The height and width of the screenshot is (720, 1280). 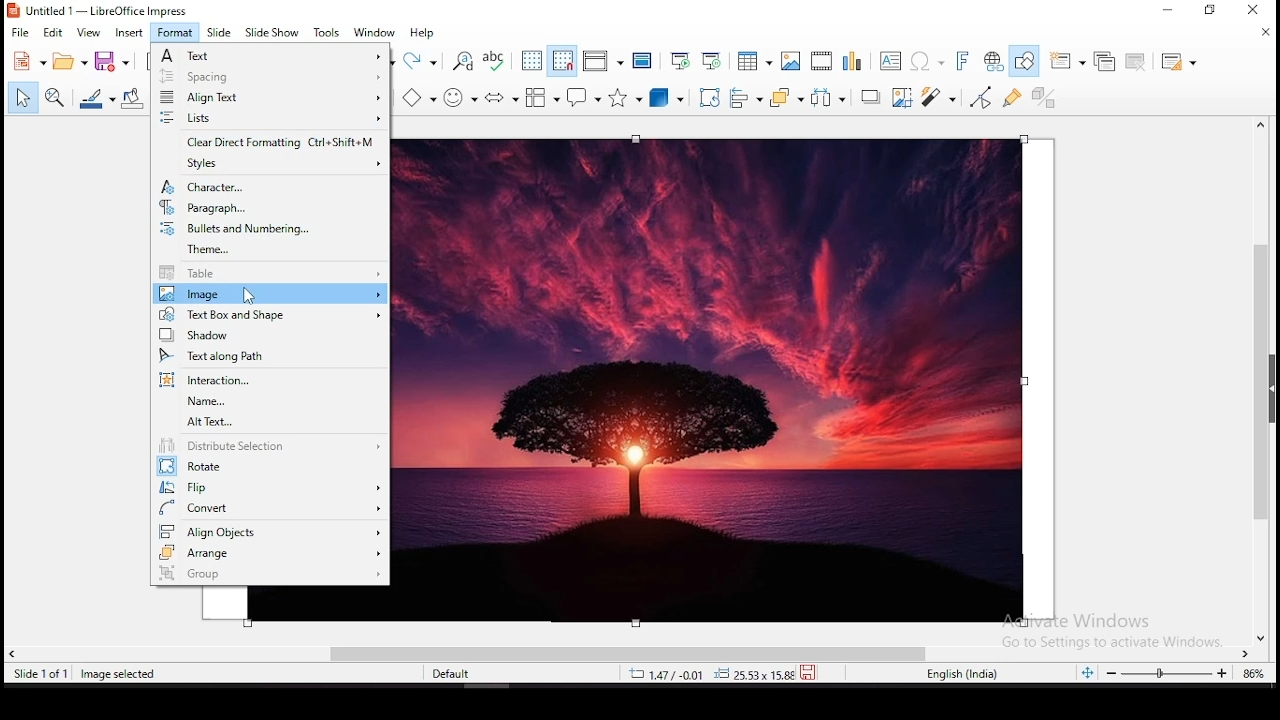 What do you see at coordinates (377, 32) in the screenshot?
I see `window` at bounding box center [377, 32].